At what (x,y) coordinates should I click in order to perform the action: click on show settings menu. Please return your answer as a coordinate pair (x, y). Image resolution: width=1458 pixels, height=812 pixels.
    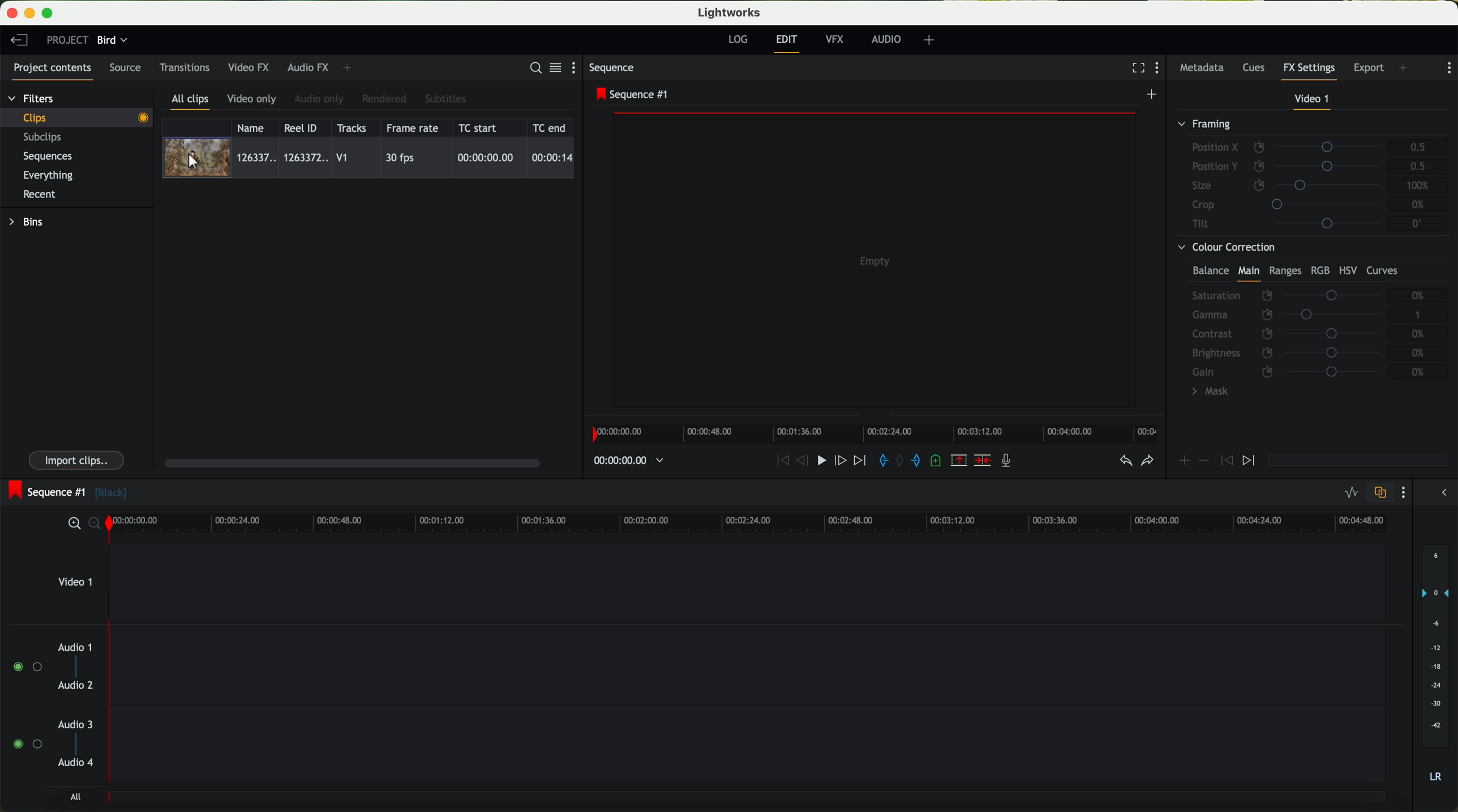
    Looking at the image, I should click on (1448, 68).